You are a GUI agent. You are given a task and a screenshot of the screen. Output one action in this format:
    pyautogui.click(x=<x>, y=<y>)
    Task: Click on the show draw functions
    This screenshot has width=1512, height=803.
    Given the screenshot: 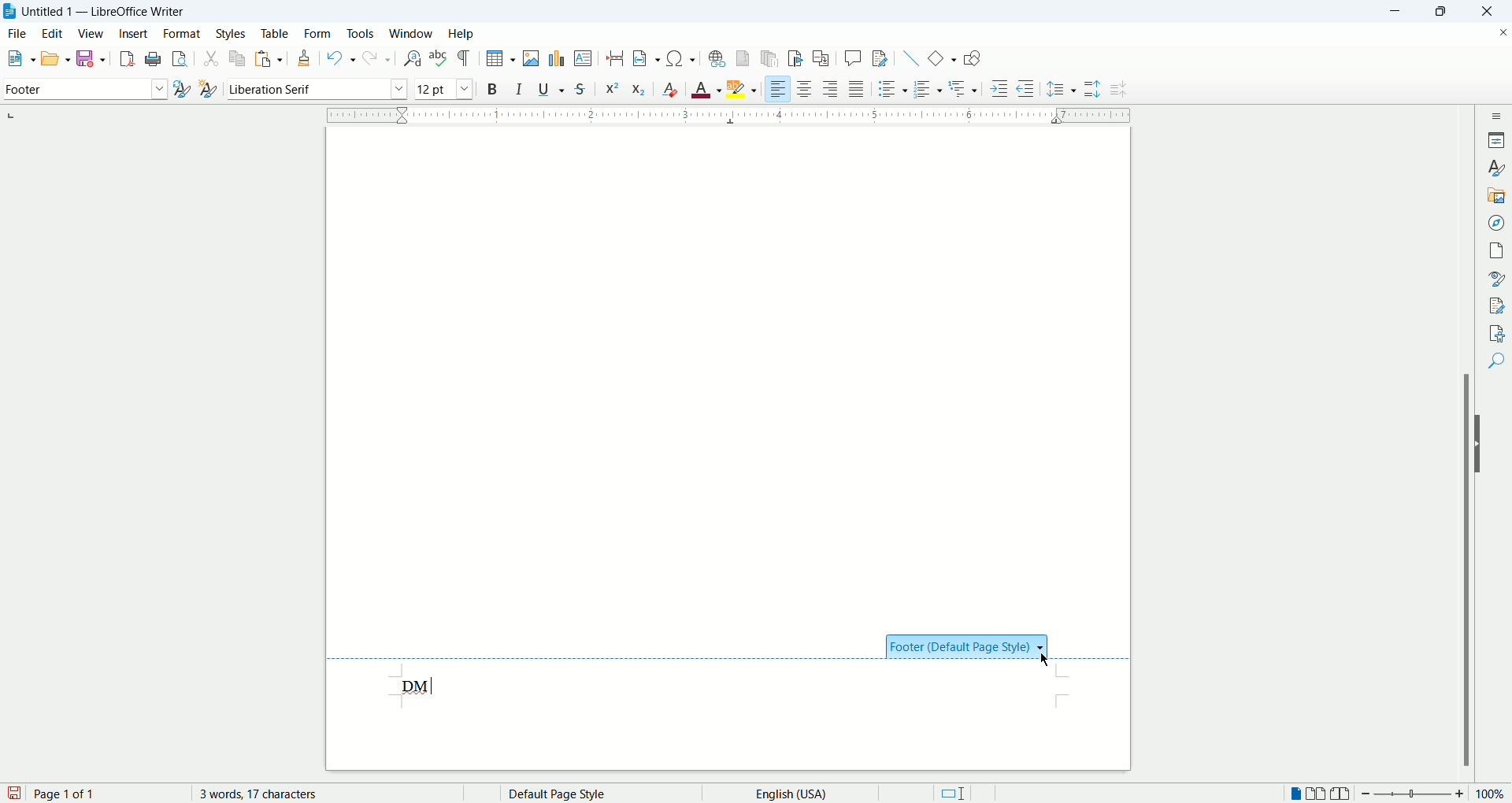 What is the action you would take?
    pyautogui.click(x=972, y=60)
    